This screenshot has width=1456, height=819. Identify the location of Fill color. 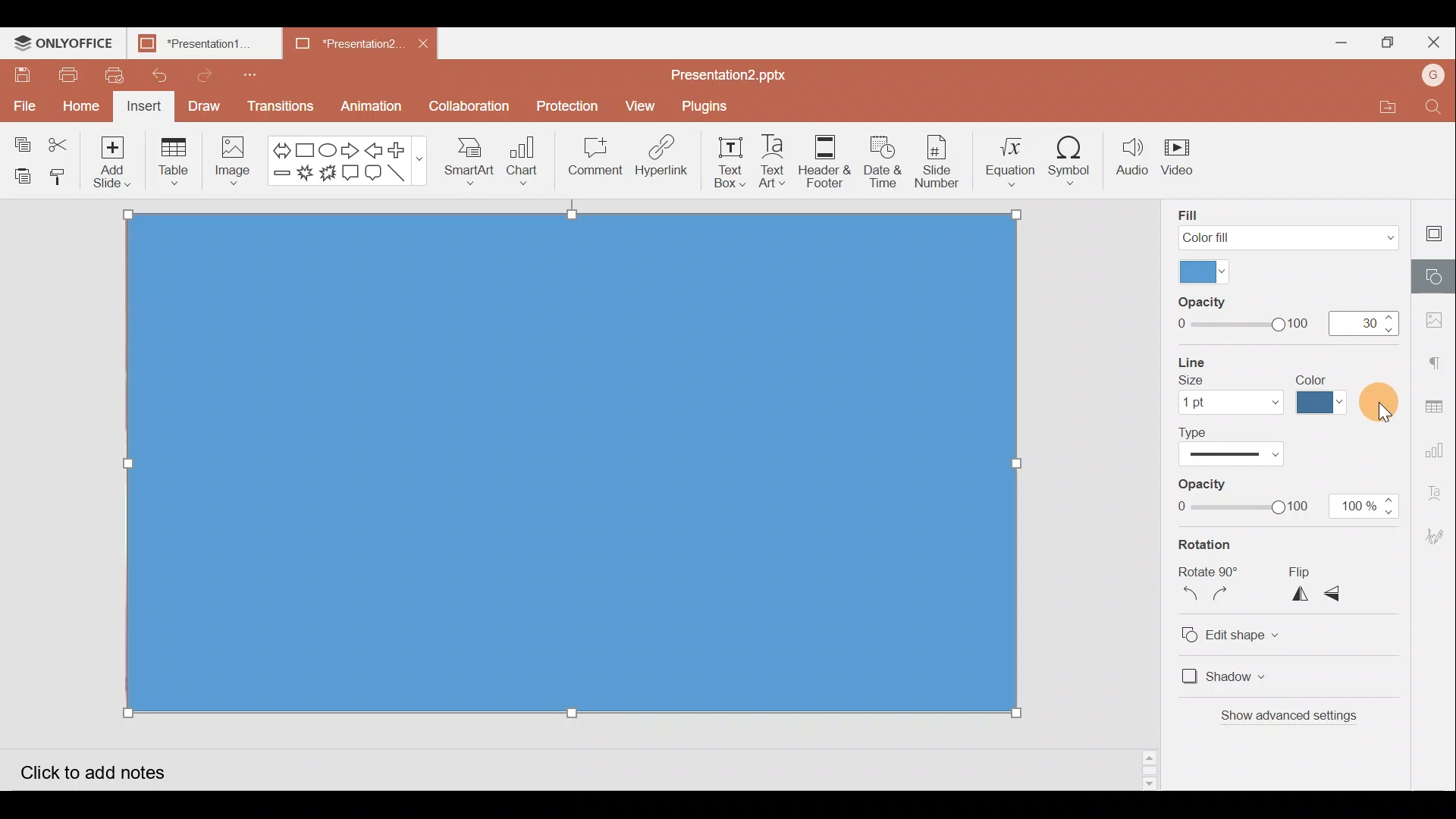
(1202, 270).